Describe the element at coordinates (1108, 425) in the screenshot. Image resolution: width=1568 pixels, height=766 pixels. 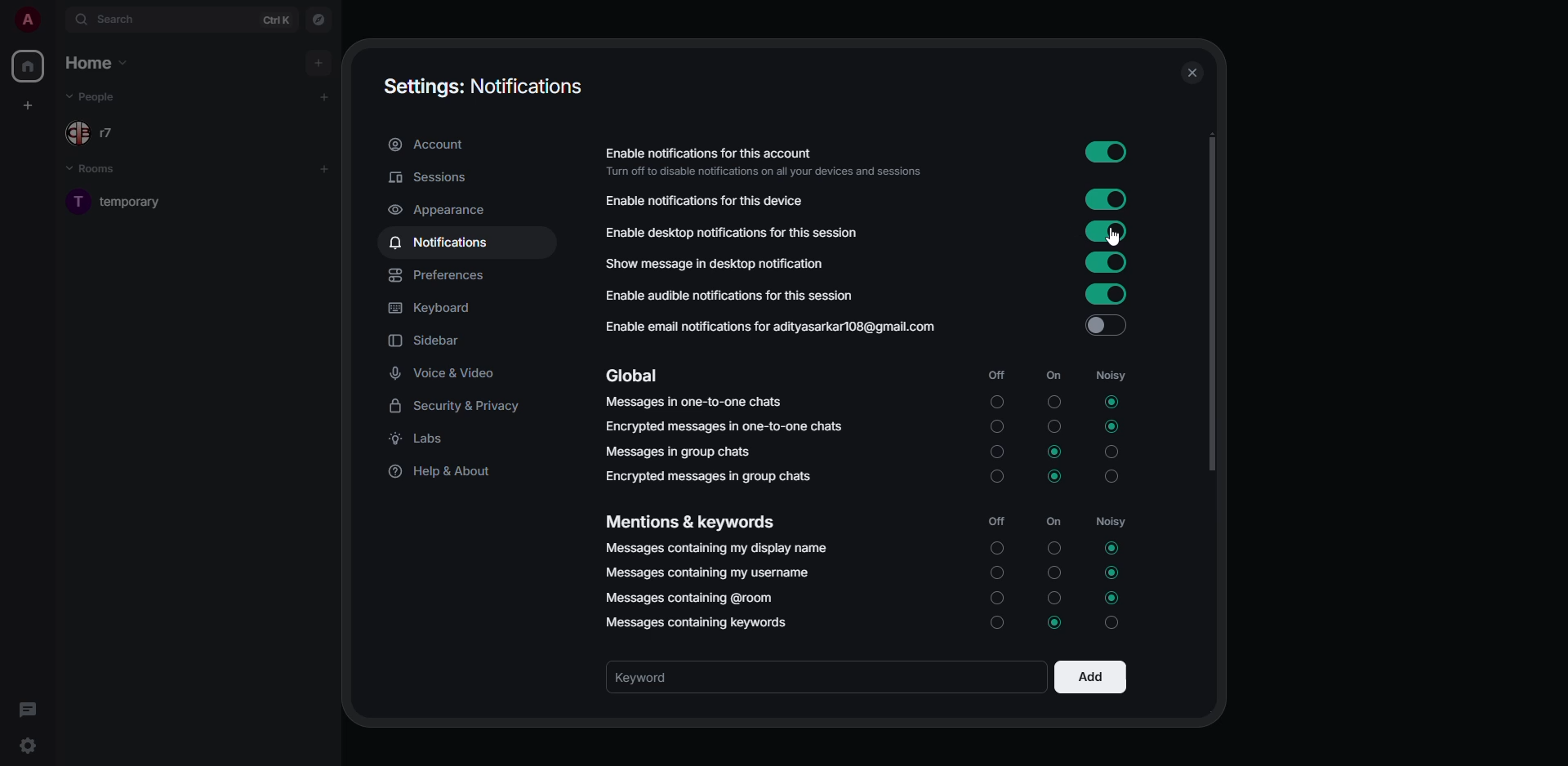
I see `selected` at that location.